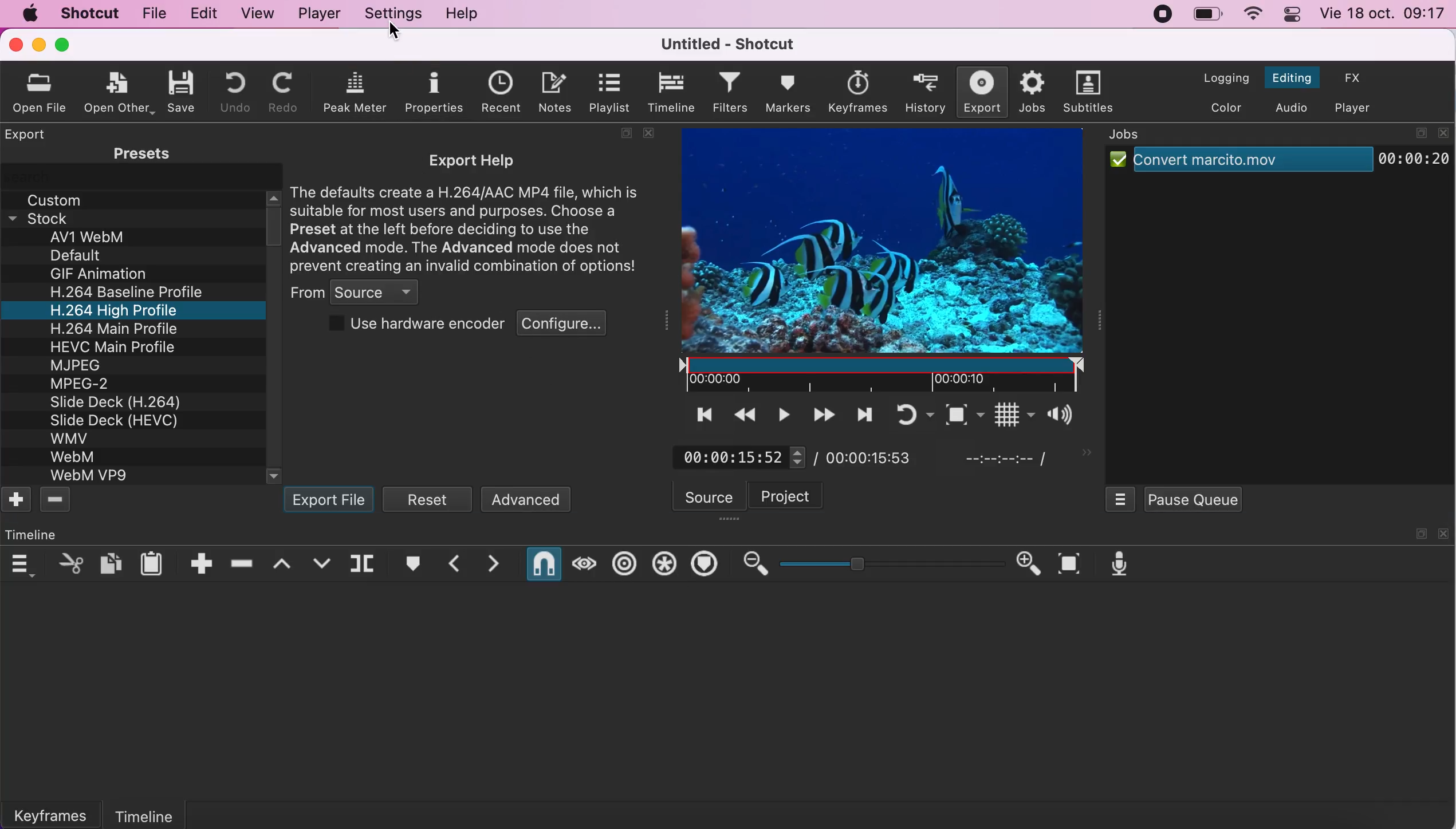 This screenshot has width=1456, height=829. Describe the element at coordinates (1136, 136) in the screenshot. I see `jobs panel` at that location.